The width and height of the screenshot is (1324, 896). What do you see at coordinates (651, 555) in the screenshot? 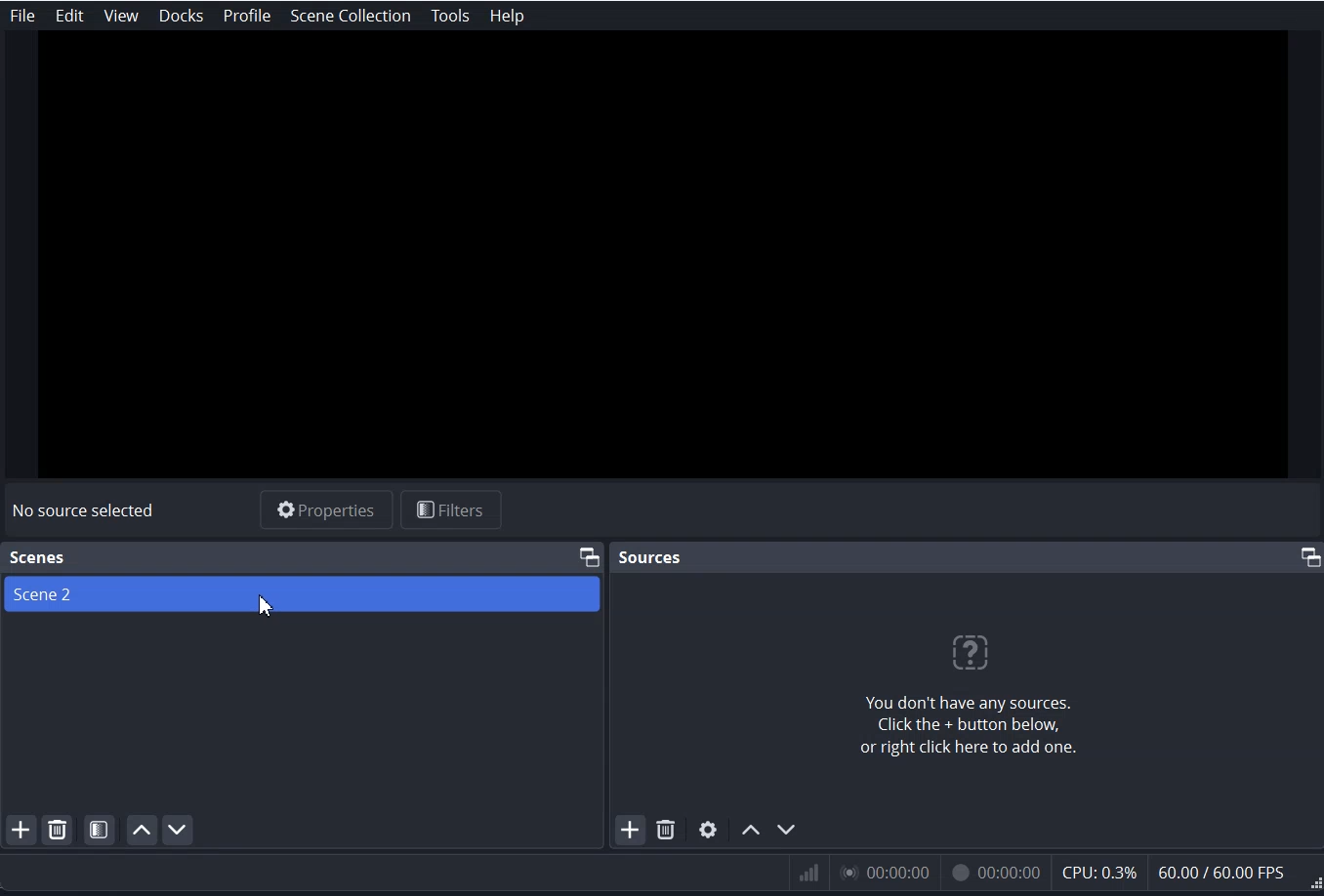
I see `Sources` at bounding box center [651, 555].